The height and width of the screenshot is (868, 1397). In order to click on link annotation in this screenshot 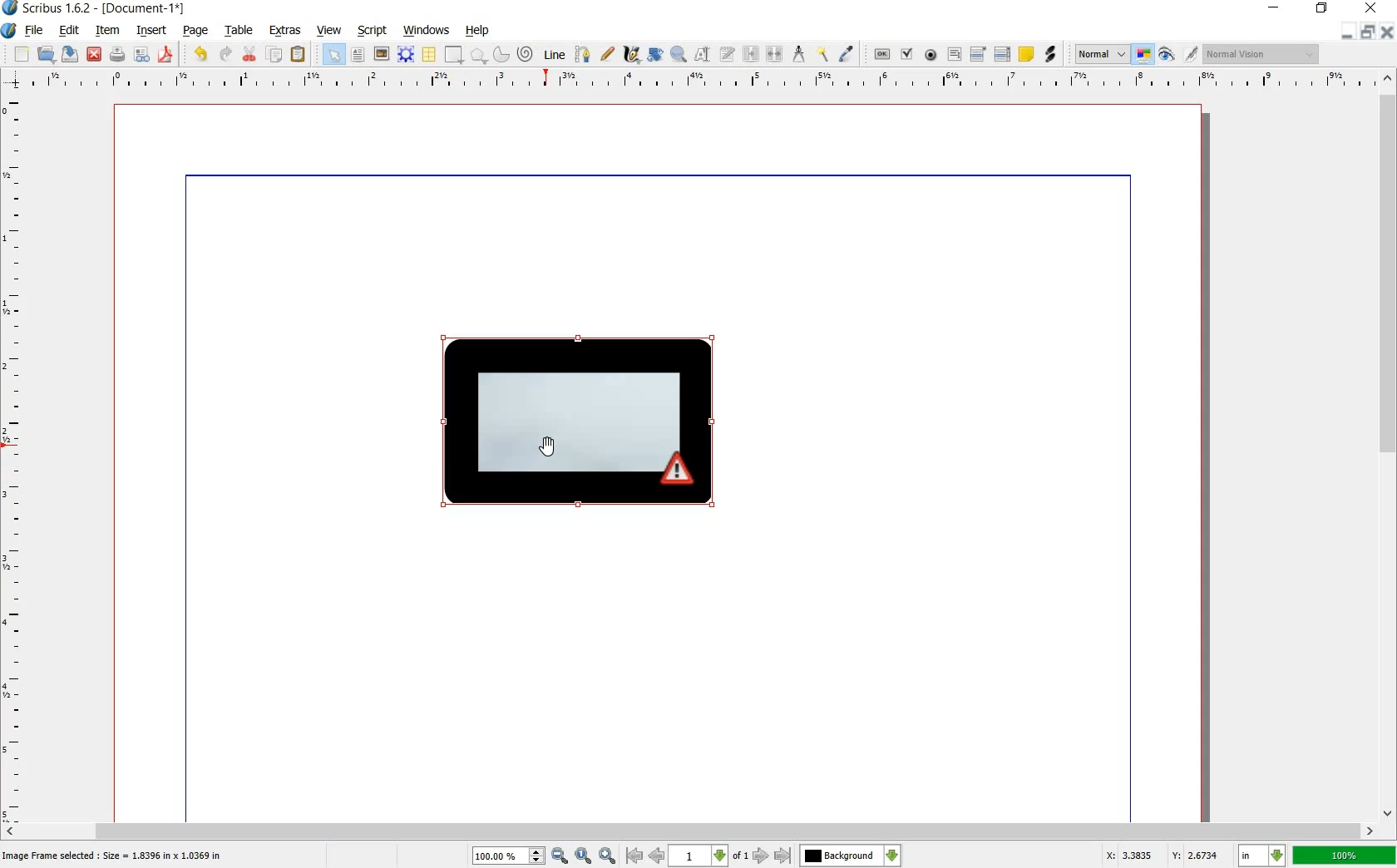, I will do `click(1051, 55)`.